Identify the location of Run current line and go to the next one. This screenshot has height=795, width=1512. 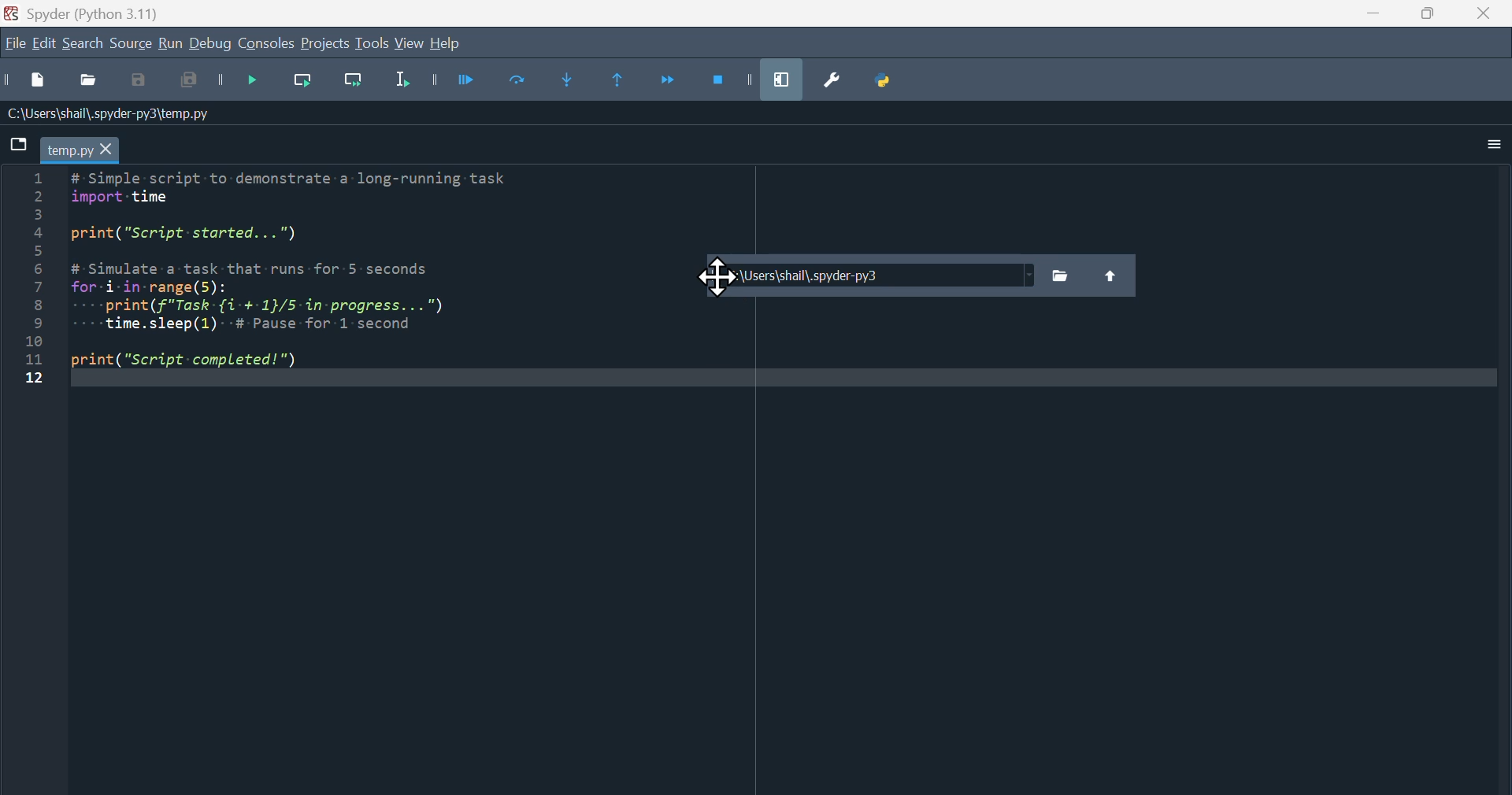
(355, 83).